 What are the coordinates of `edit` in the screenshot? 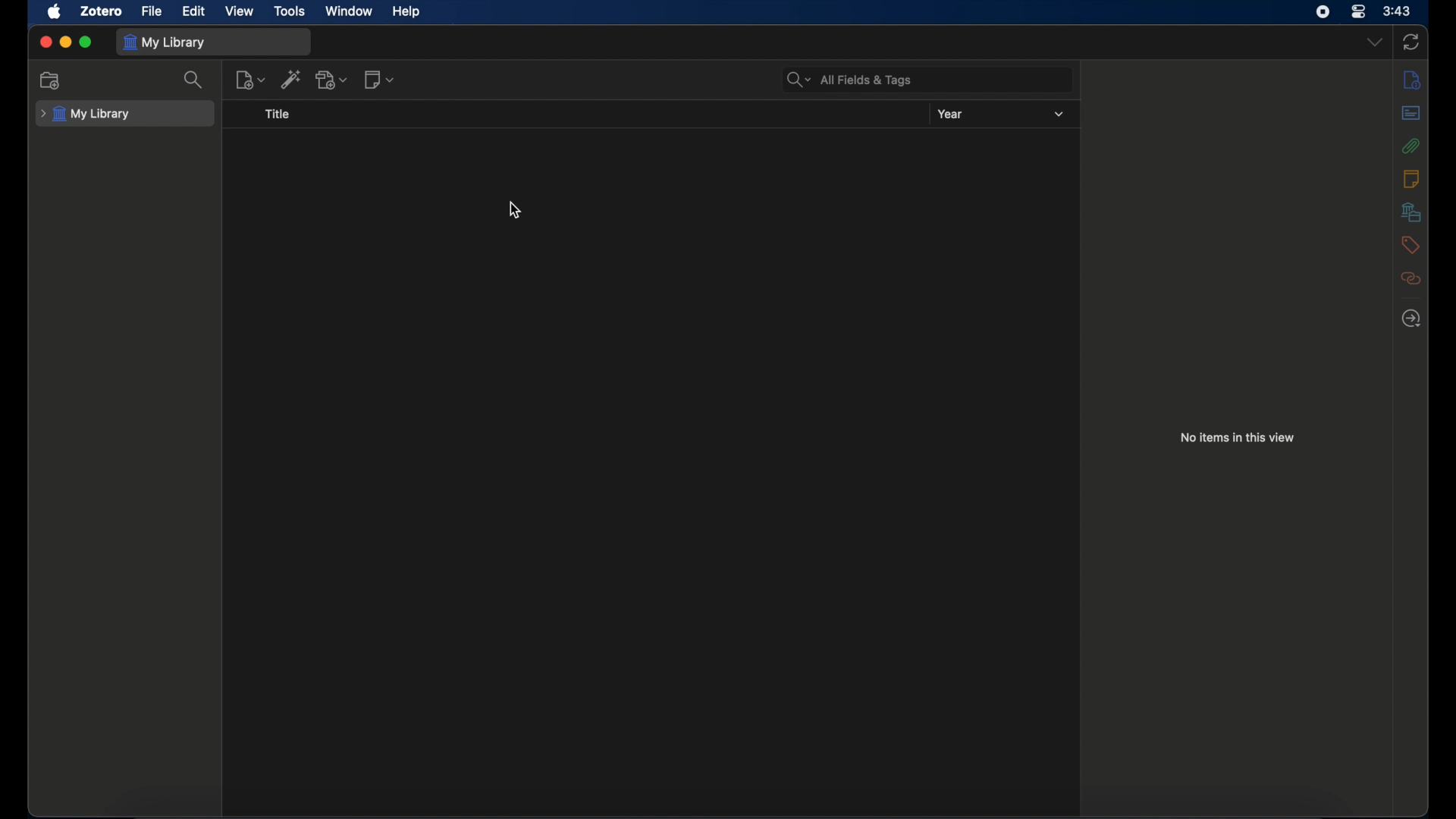 It's located at (193, 11).